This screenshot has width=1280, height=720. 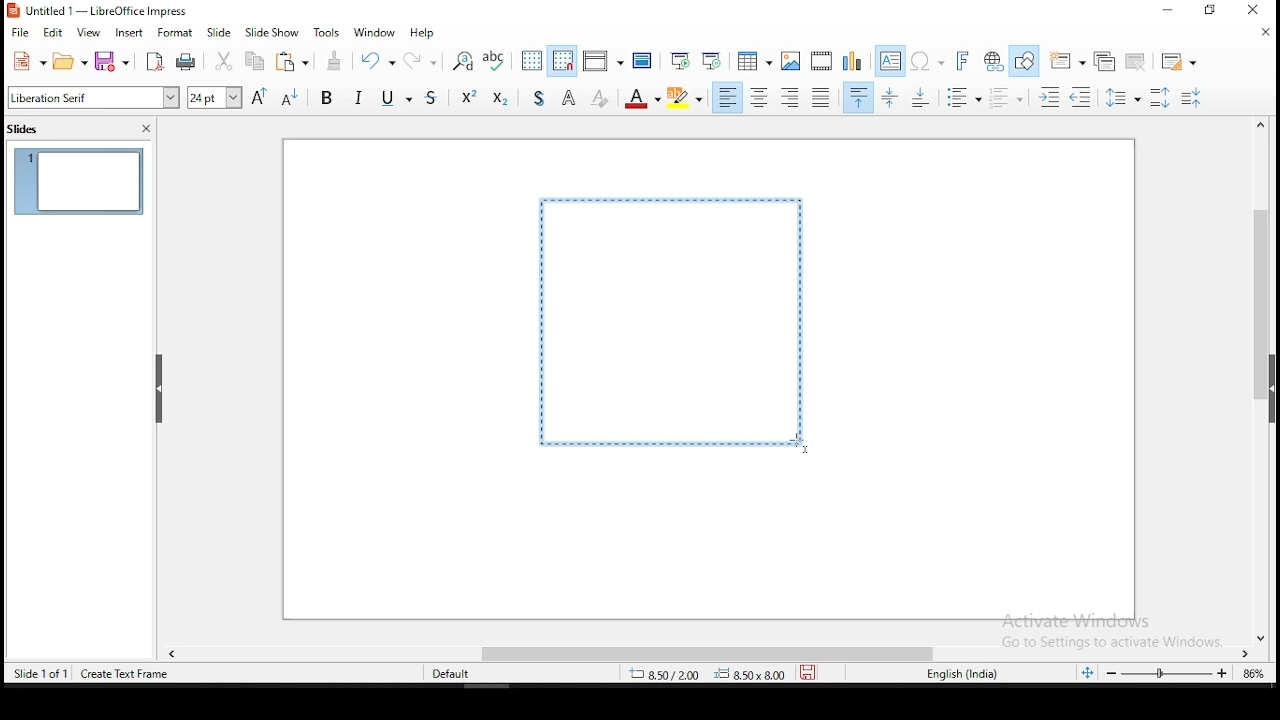 What do you see at coordinates (361, 96) in the screenshot?
I see `italics` at bounding box center [361, 96].